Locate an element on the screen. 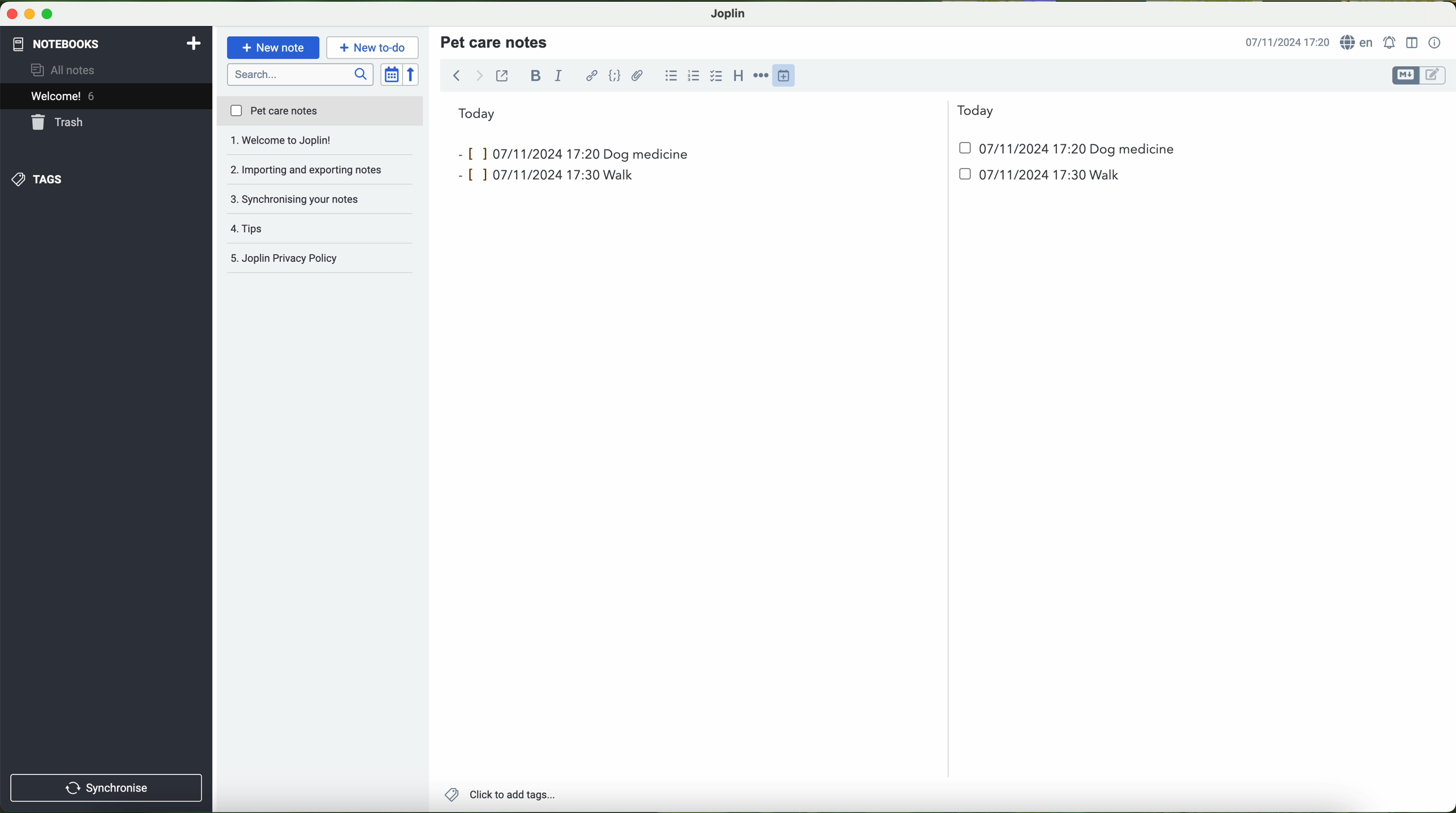 Image resolution: width=1456 pixels, height=813 pixels. synchronise button is located at coordinates (106, 788).